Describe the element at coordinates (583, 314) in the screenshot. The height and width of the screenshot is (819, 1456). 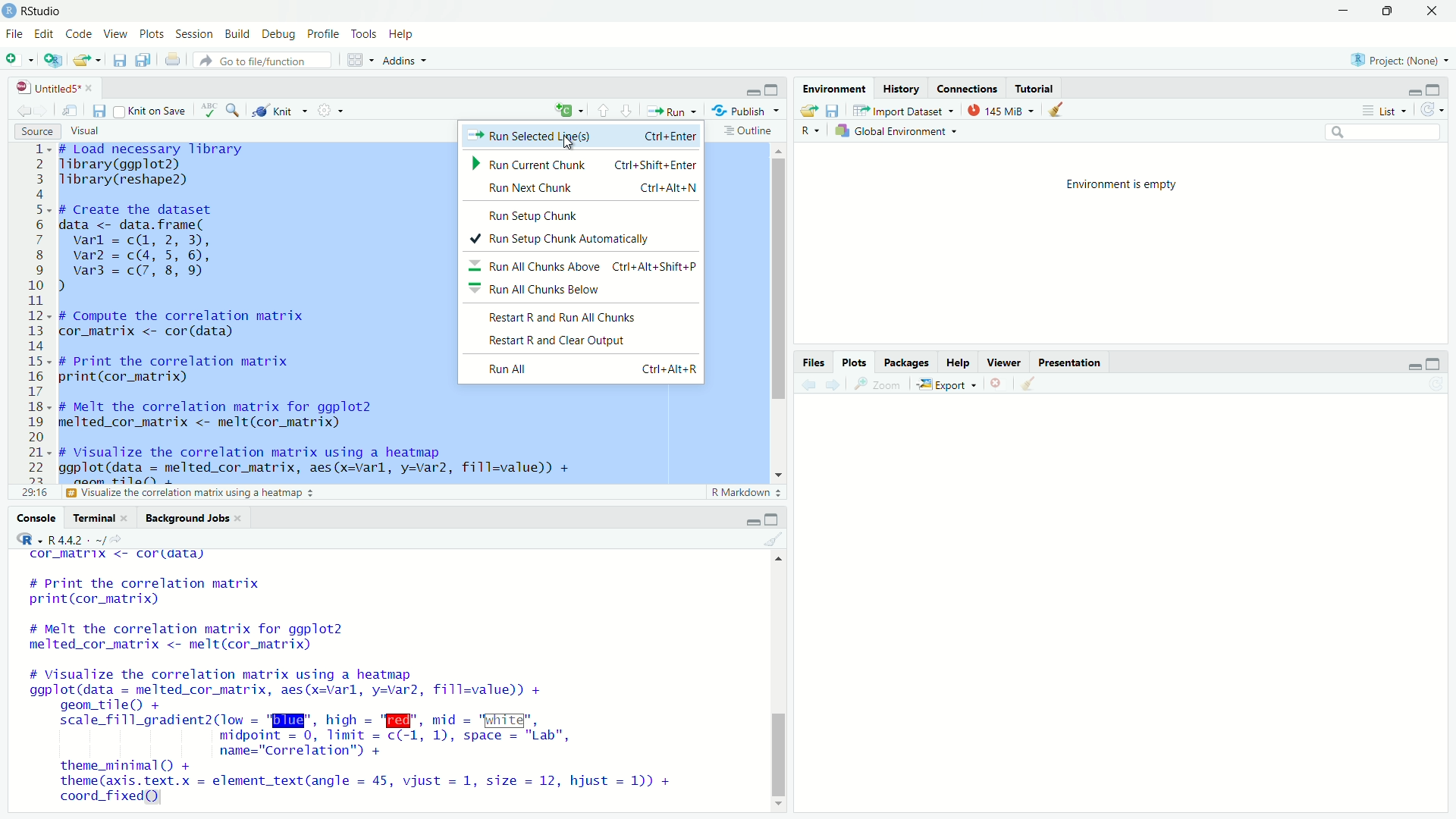
I see `restart R and run all chunks` at that location.